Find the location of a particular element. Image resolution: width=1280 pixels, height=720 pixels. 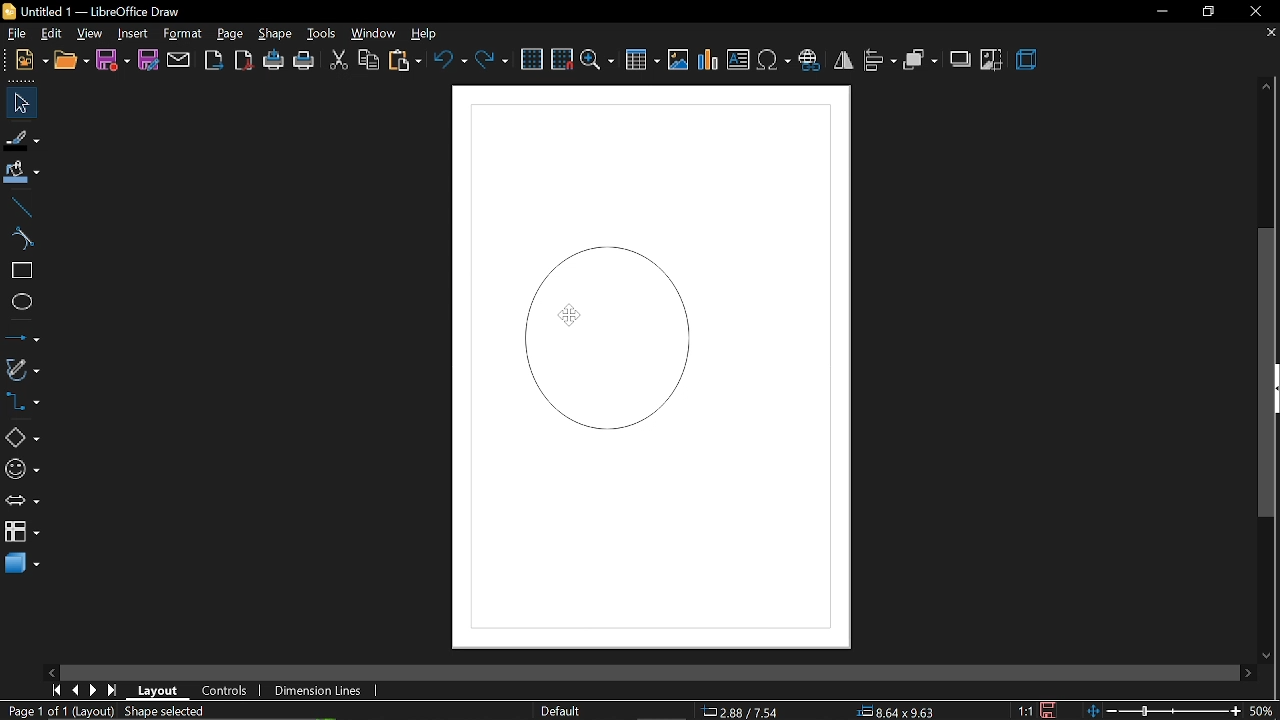

tools is located at coordinates (322, 34).